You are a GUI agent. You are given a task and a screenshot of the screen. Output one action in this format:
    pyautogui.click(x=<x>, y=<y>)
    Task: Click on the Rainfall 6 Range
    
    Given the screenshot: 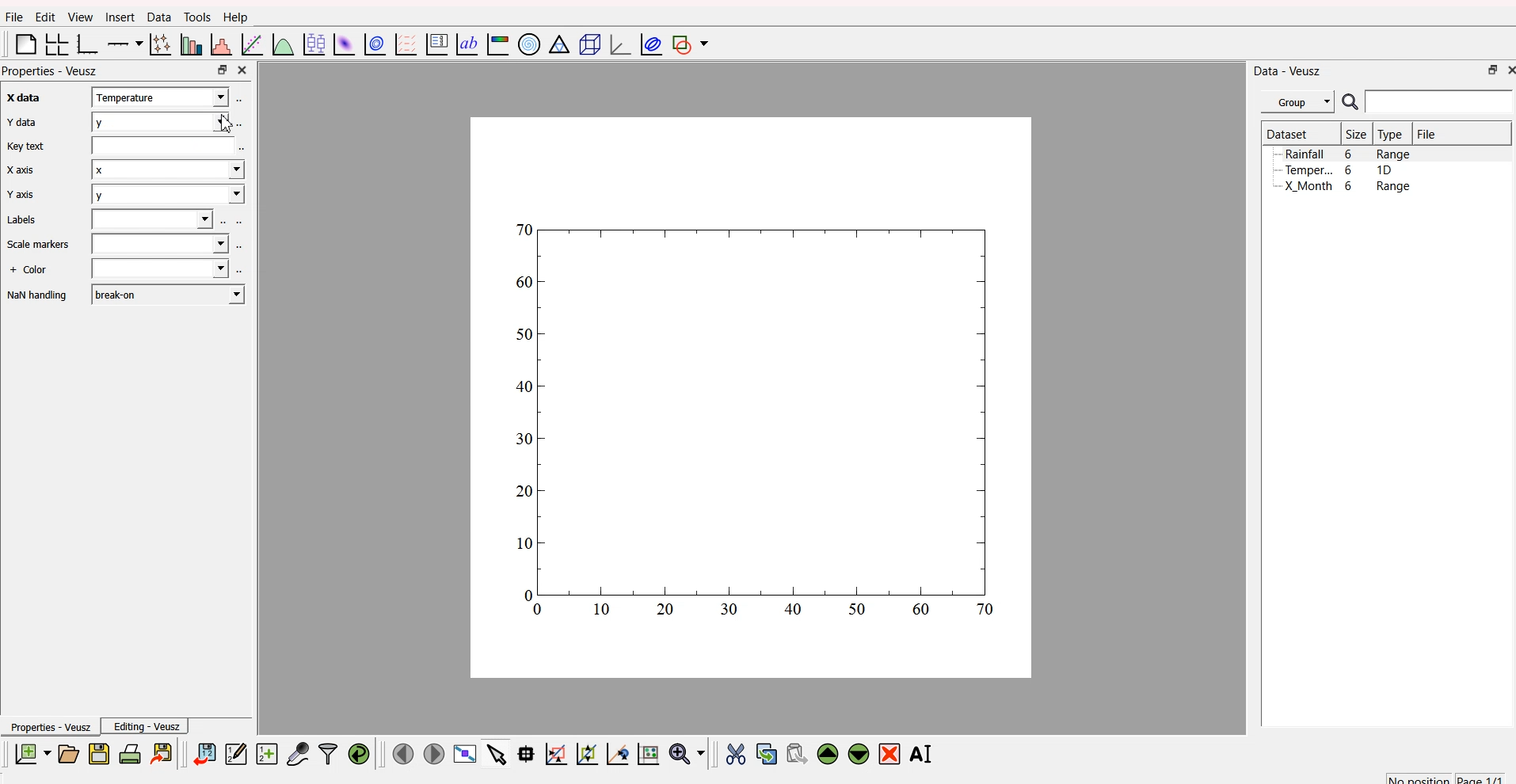 What is the action you would take?
    pyautogui.click(x=1350, y=154)
    